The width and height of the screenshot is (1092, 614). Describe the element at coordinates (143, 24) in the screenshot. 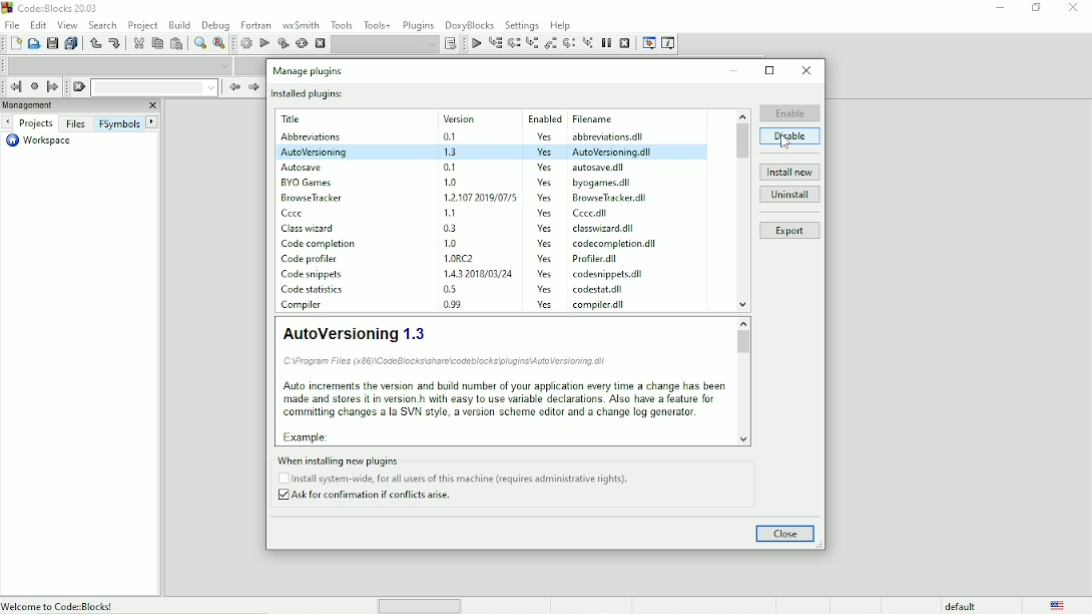

I see `Project` at that location.